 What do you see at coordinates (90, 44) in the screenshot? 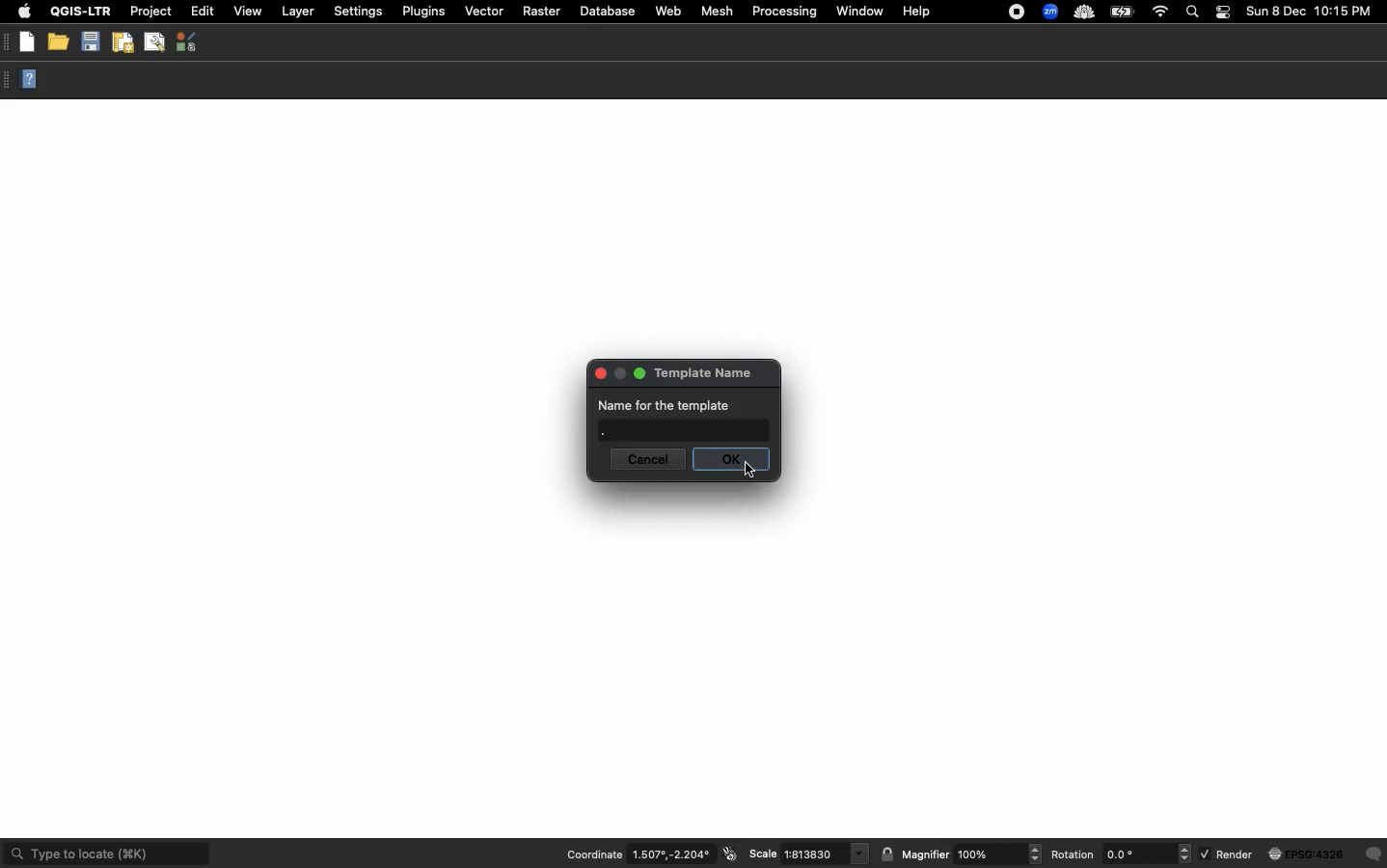
I see `Save` at bounding box center [90, 44].